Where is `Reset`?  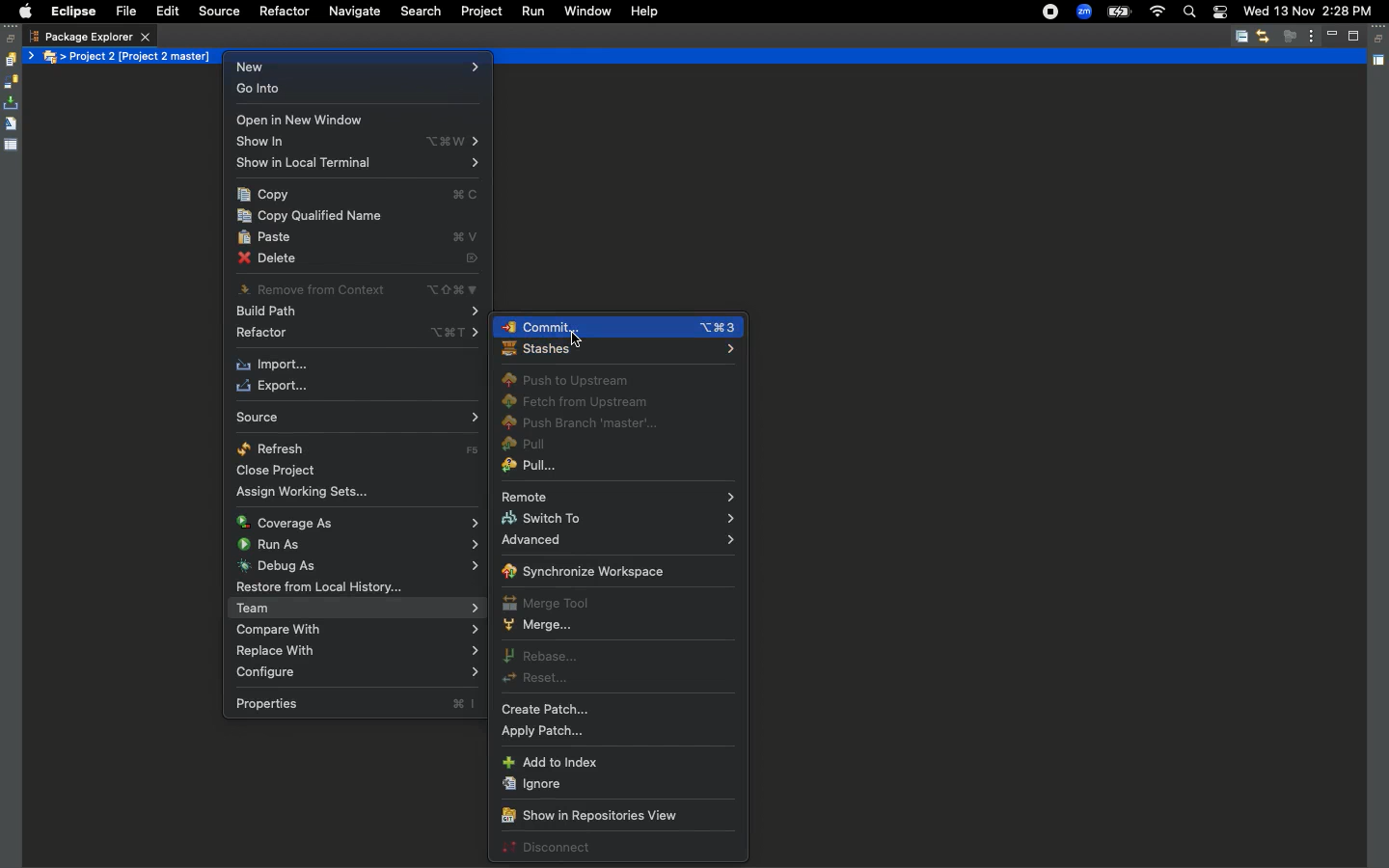
Reset is located at coordinates (538, 680).